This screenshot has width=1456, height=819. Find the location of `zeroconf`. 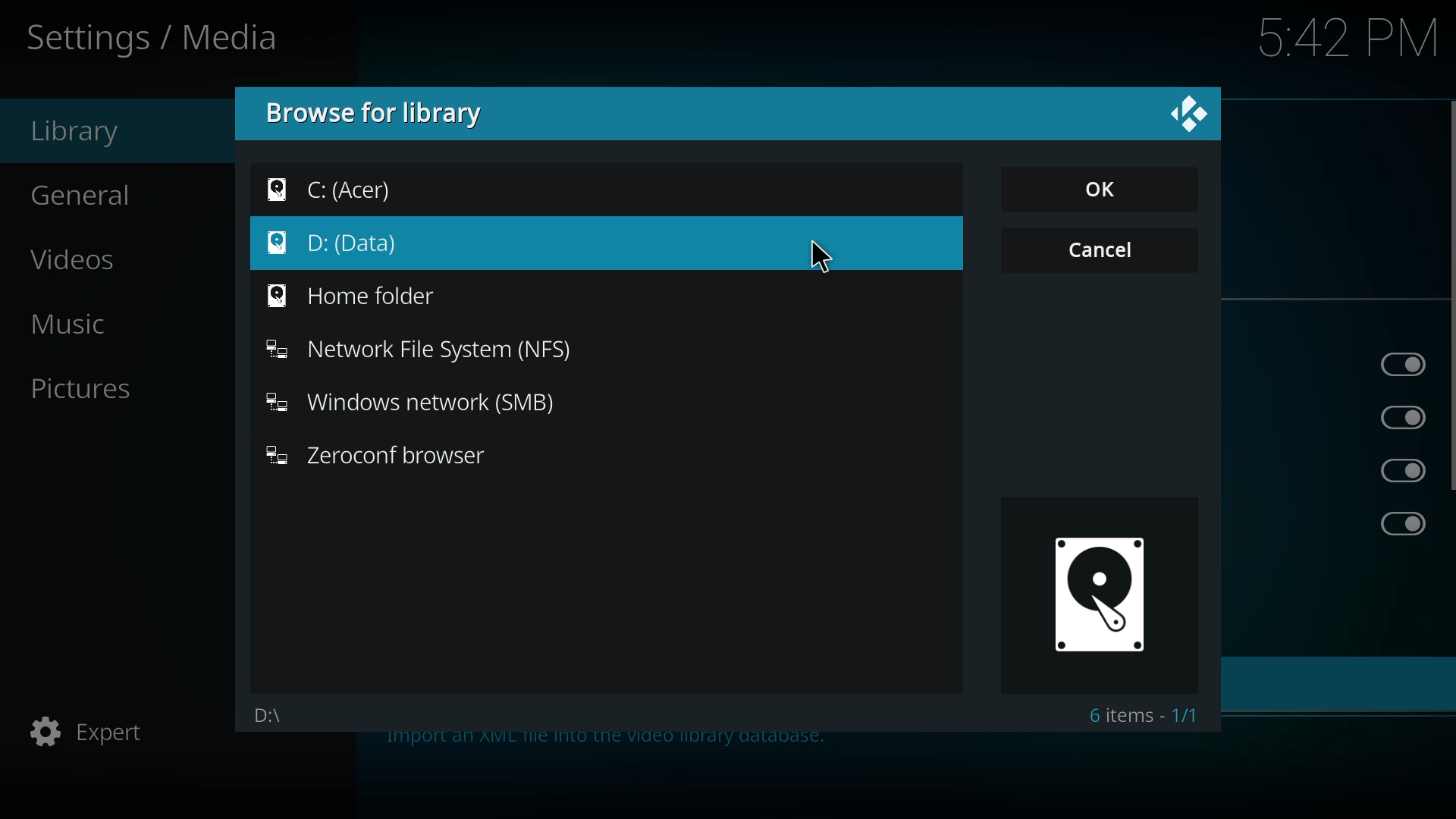

zeroconf is located at coordinates (385, 452).